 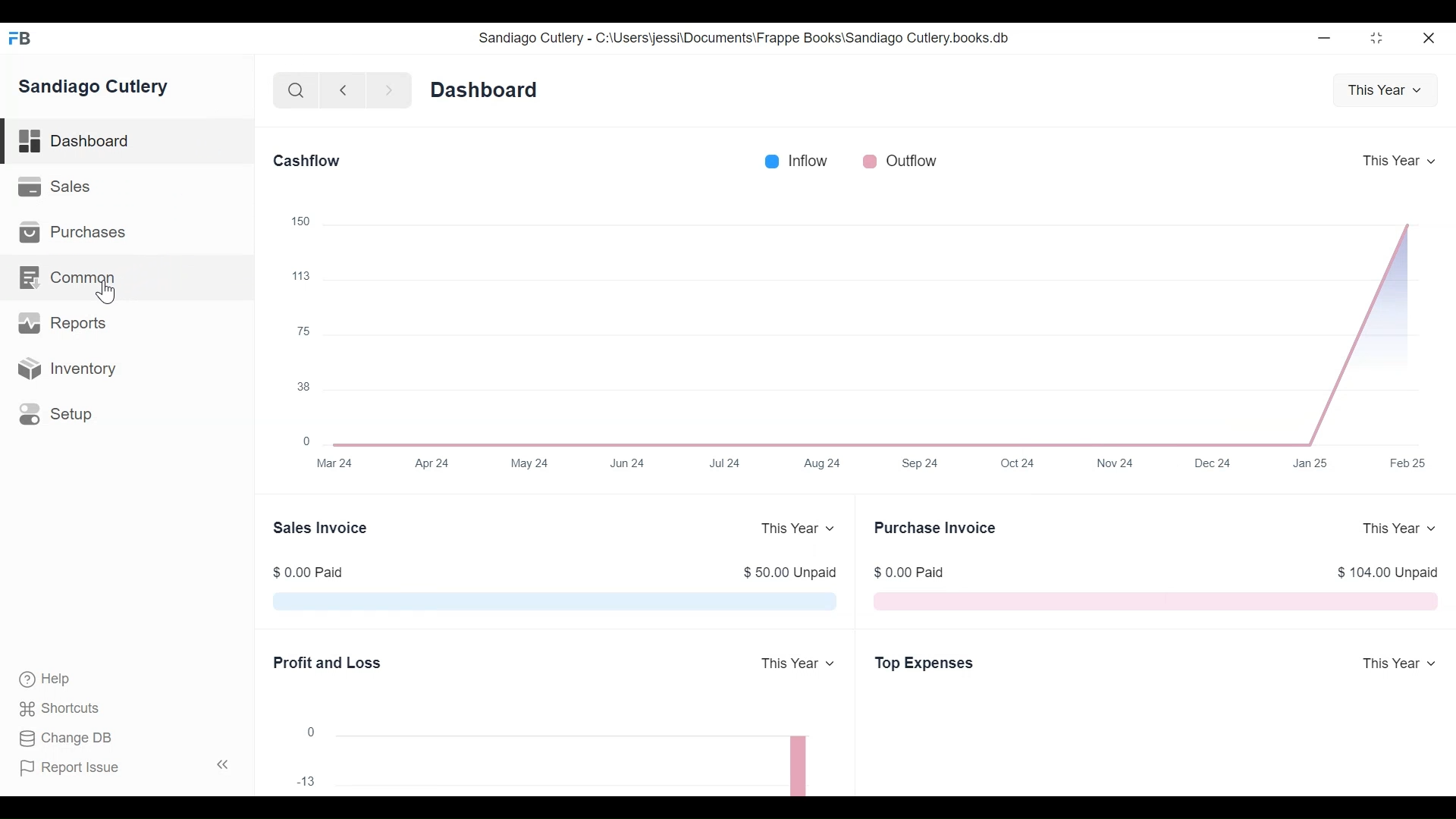 What do you see at coordinates (107, 289) in the screenshot?
I see `Cursor` at bounding box center [107, 289].